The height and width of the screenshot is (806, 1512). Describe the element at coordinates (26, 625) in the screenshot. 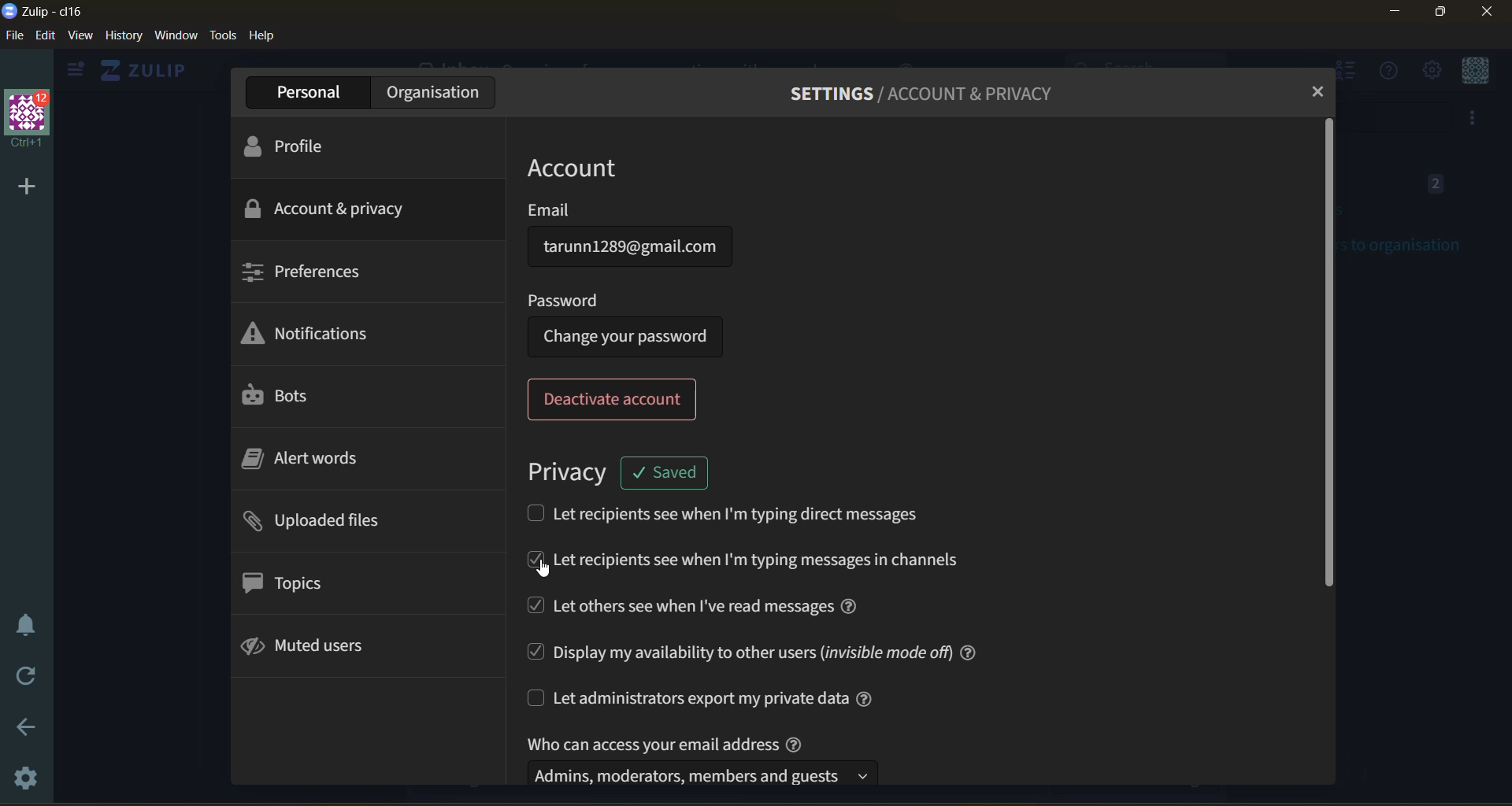

I see `enable do not disturb` at that location.